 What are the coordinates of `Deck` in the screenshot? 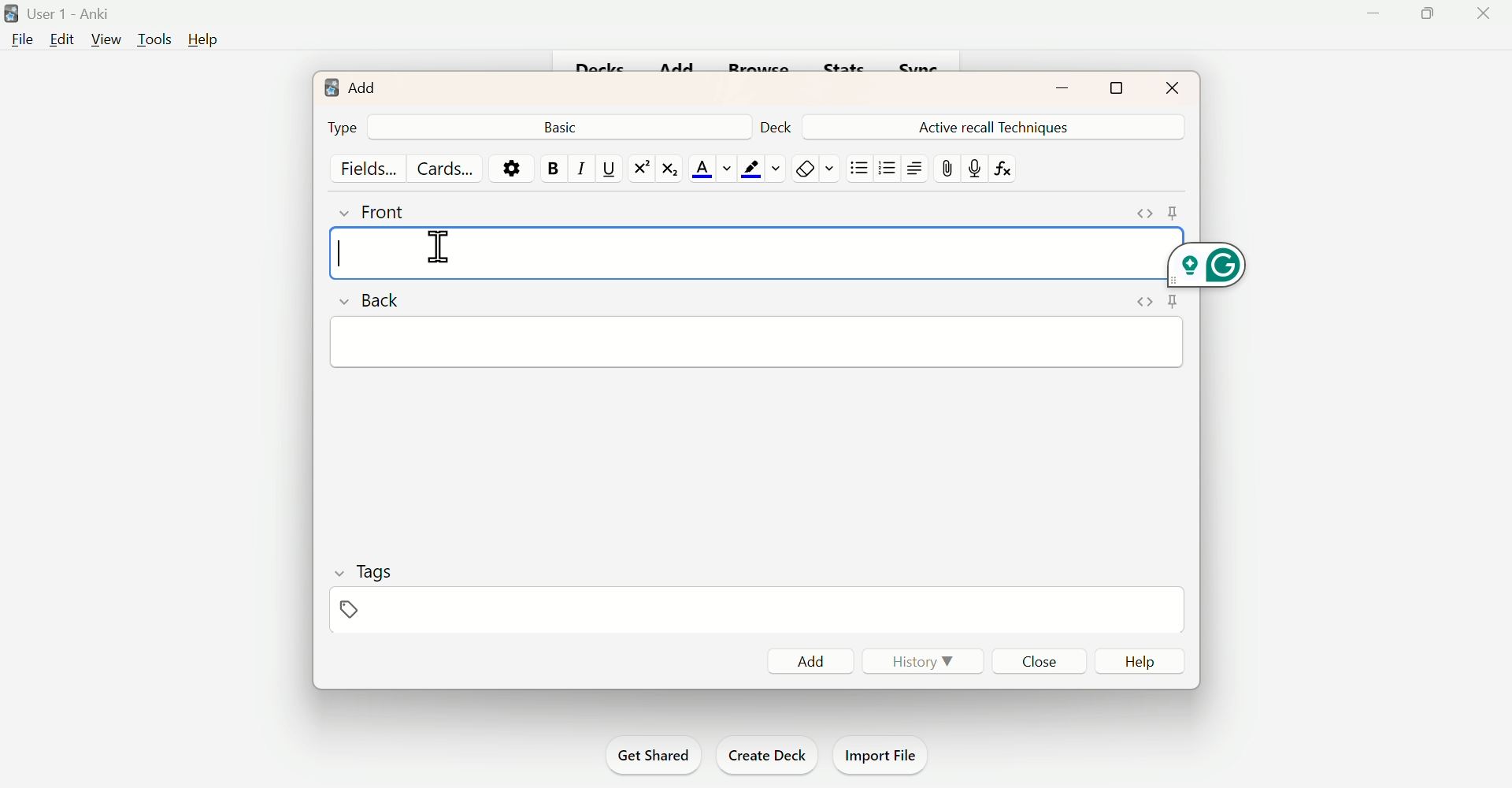 It's located at (773, 124).